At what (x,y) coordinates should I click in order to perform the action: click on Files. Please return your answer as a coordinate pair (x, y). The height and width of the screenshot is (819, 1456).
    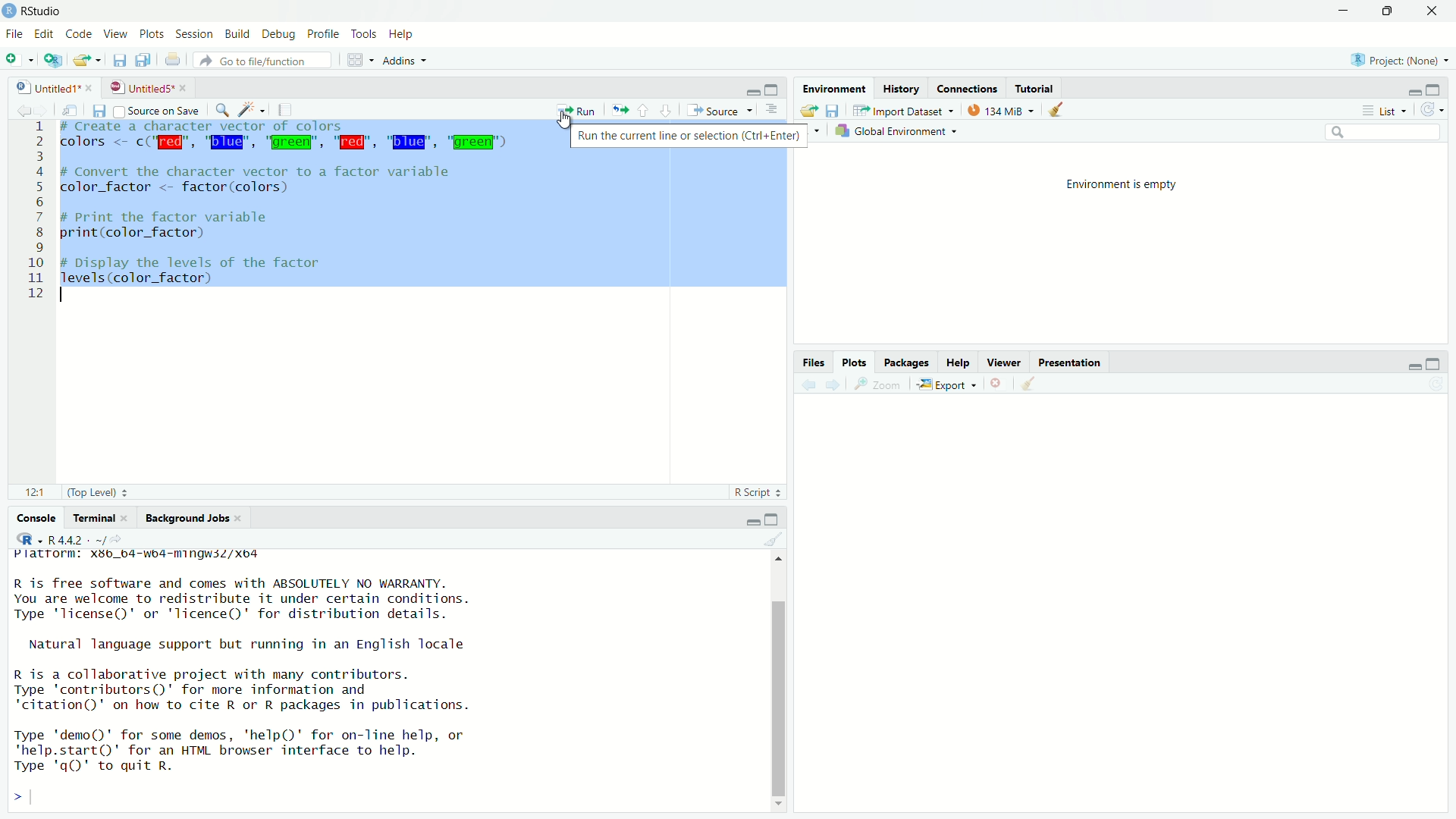
    Looking at the image, I should click on (812, 359).